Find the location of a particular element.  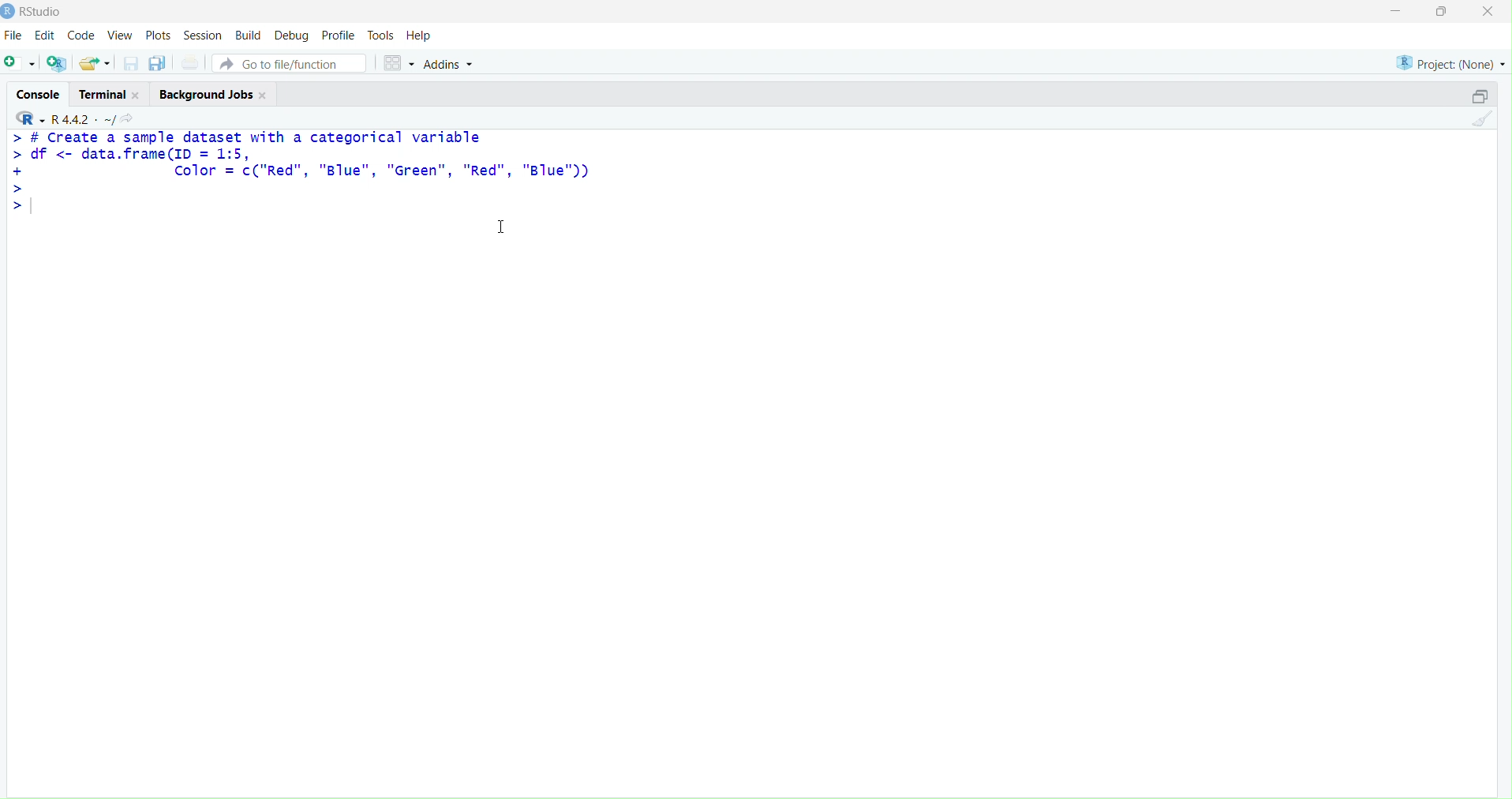

addins is located at coordinates (451, 65).